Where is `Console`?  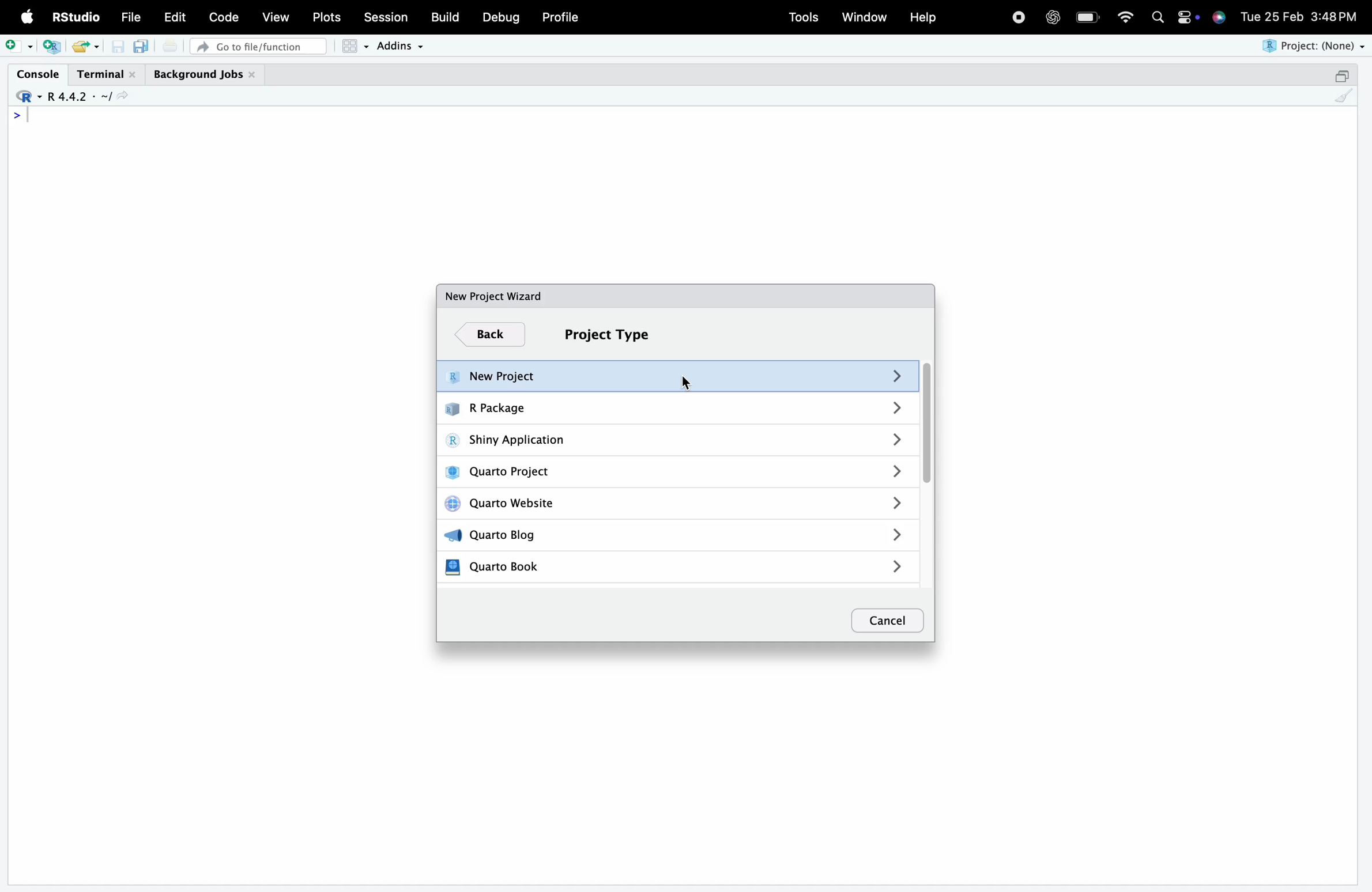
Console is located at coordinates (37, 74).